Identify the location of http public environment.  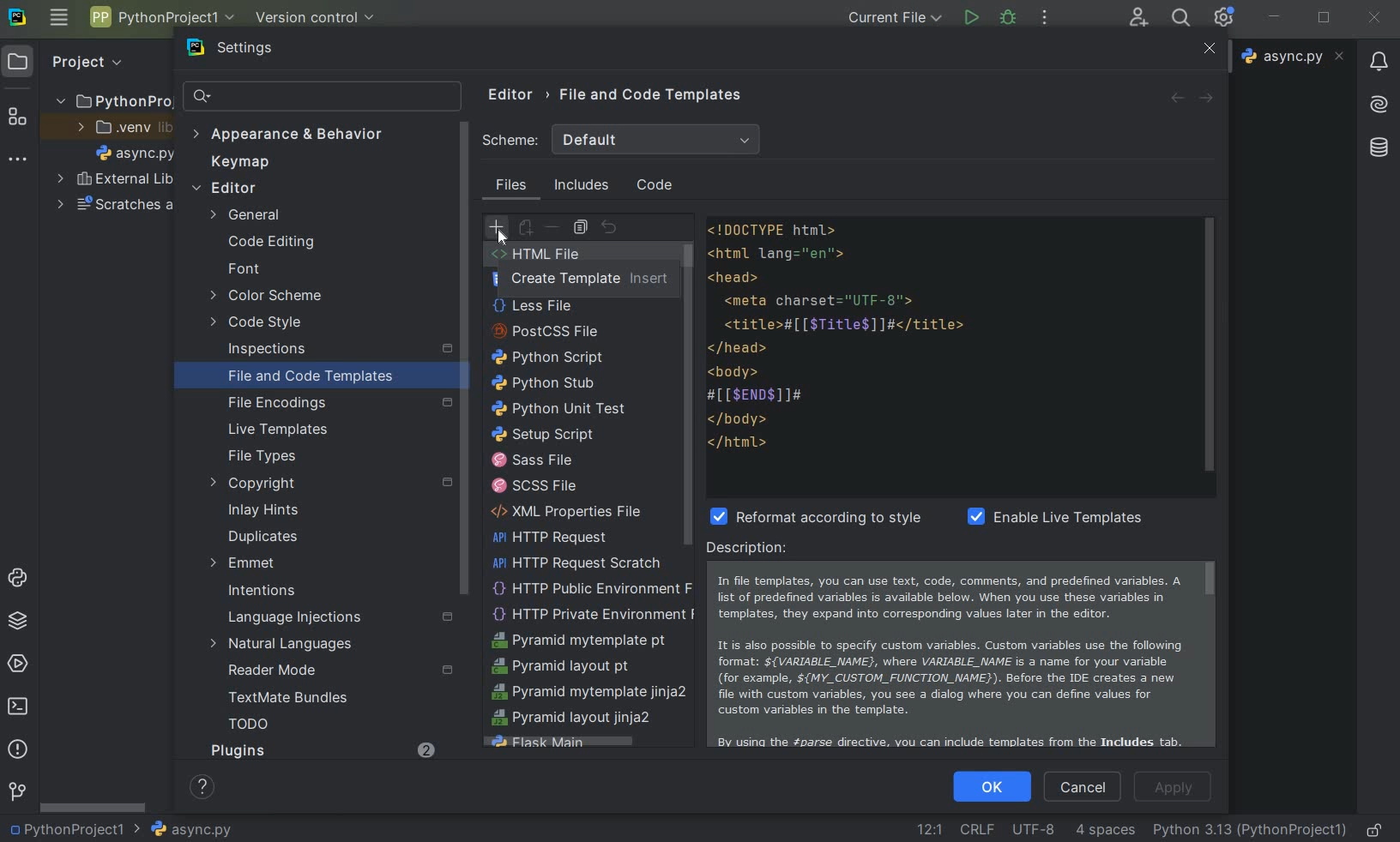
(590, 588).